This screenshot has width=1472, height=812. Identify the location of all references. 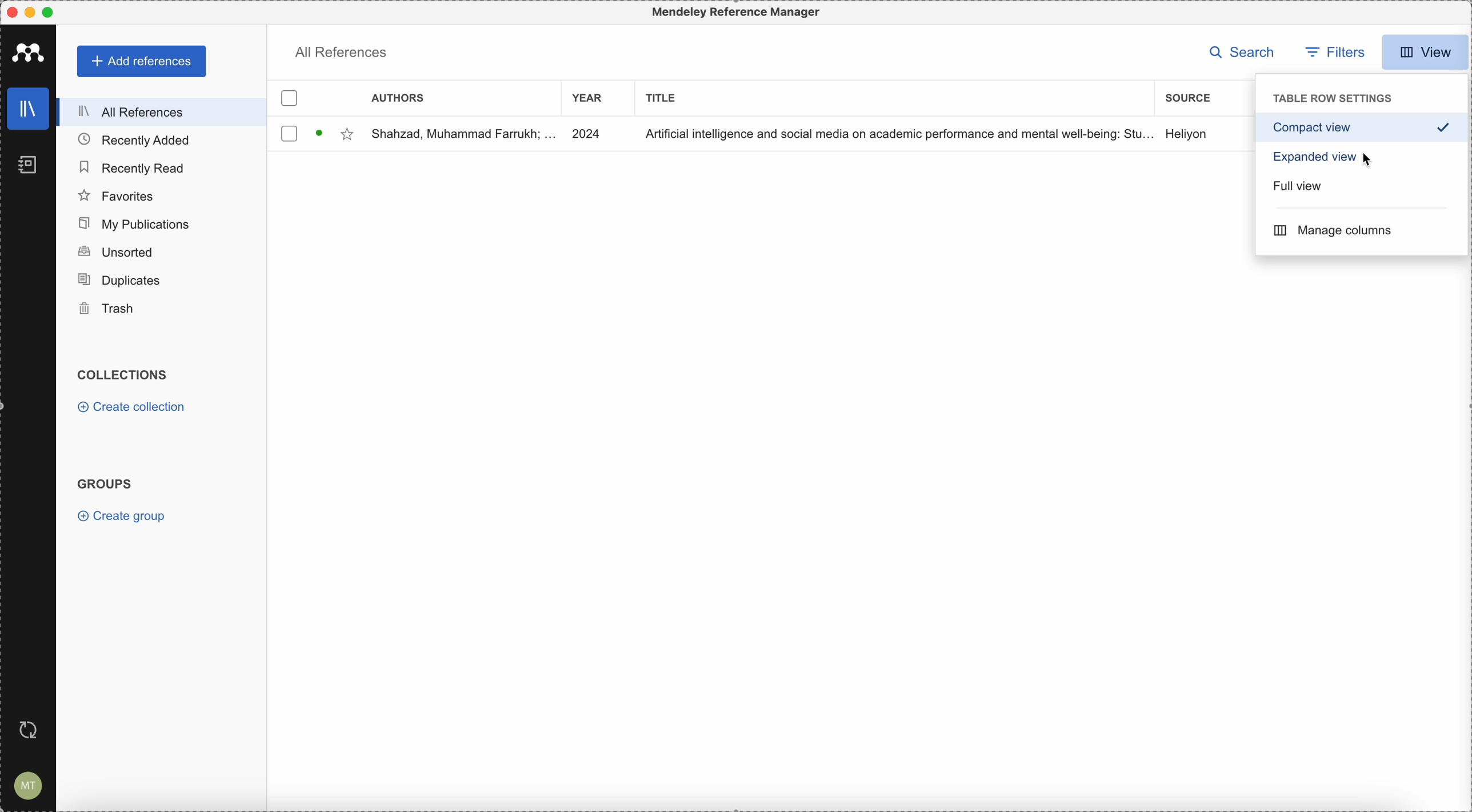
(343, 51).